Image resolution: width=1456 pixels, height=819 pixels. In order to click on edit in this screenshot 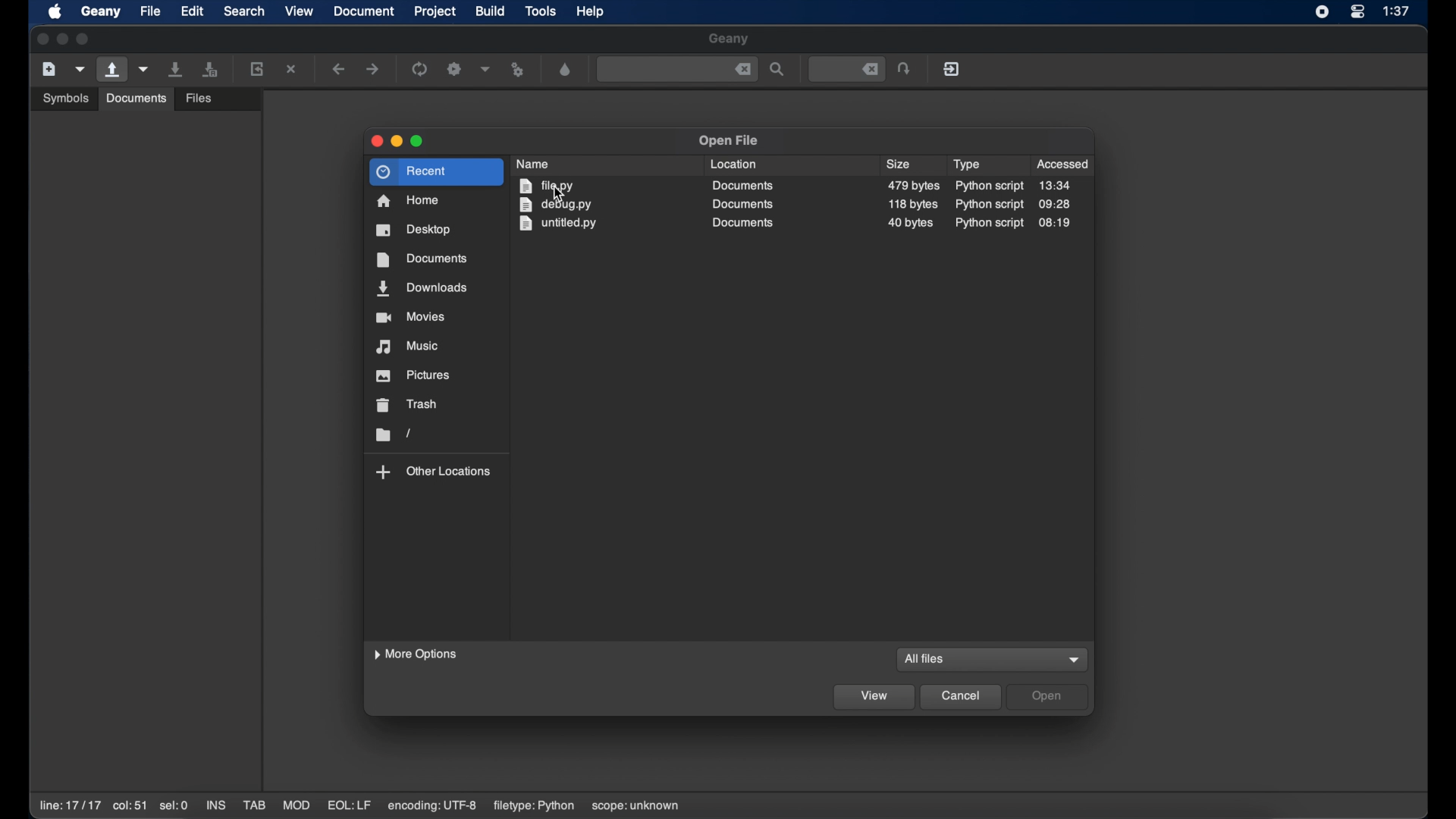, I will do `click(193, 11)`.